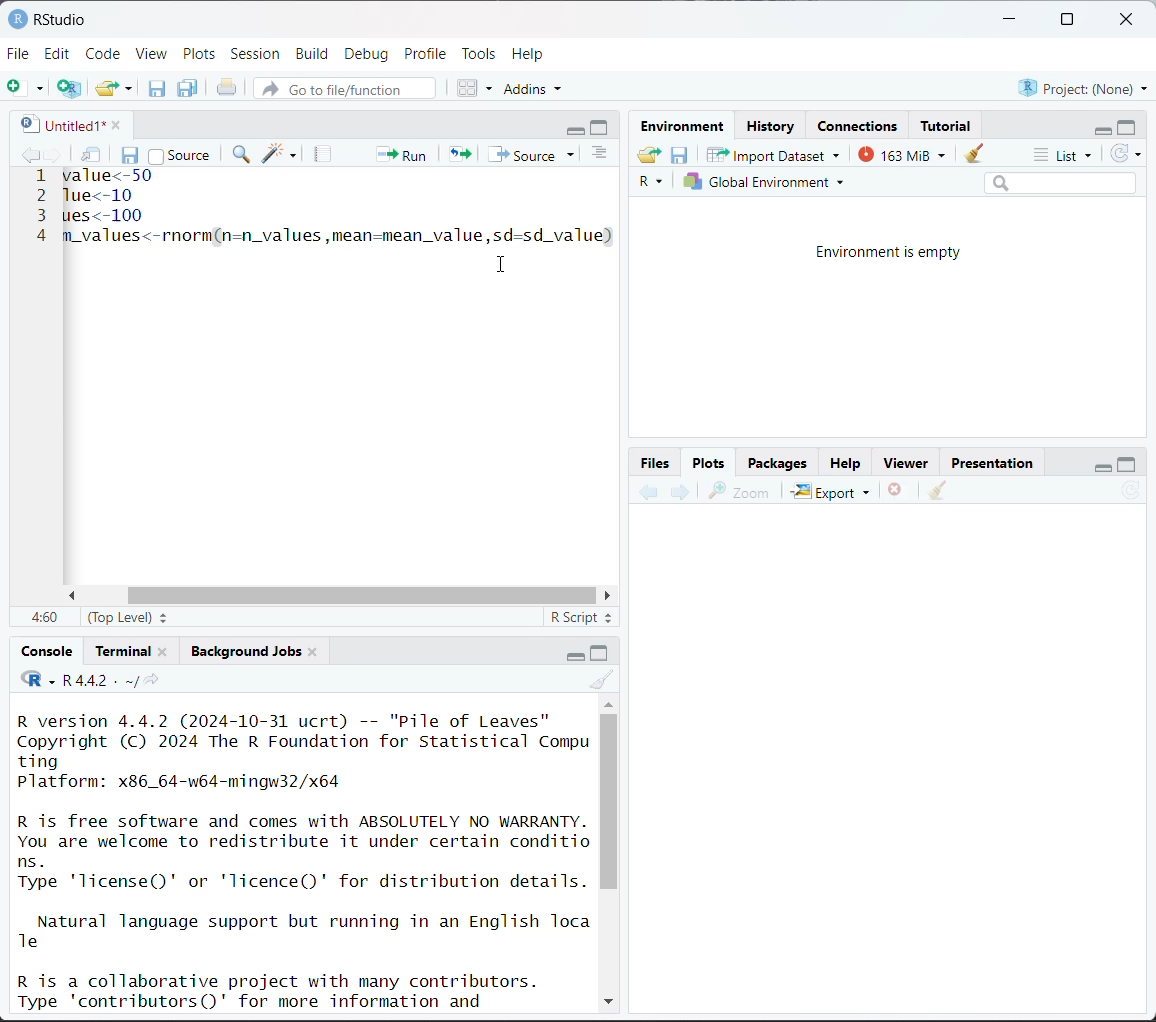 Image resolution: width=1156 pixels, height=1022 pixels. Describe the element at coordinates (860, 126) in the screenshot. I see `Connections` at that location.